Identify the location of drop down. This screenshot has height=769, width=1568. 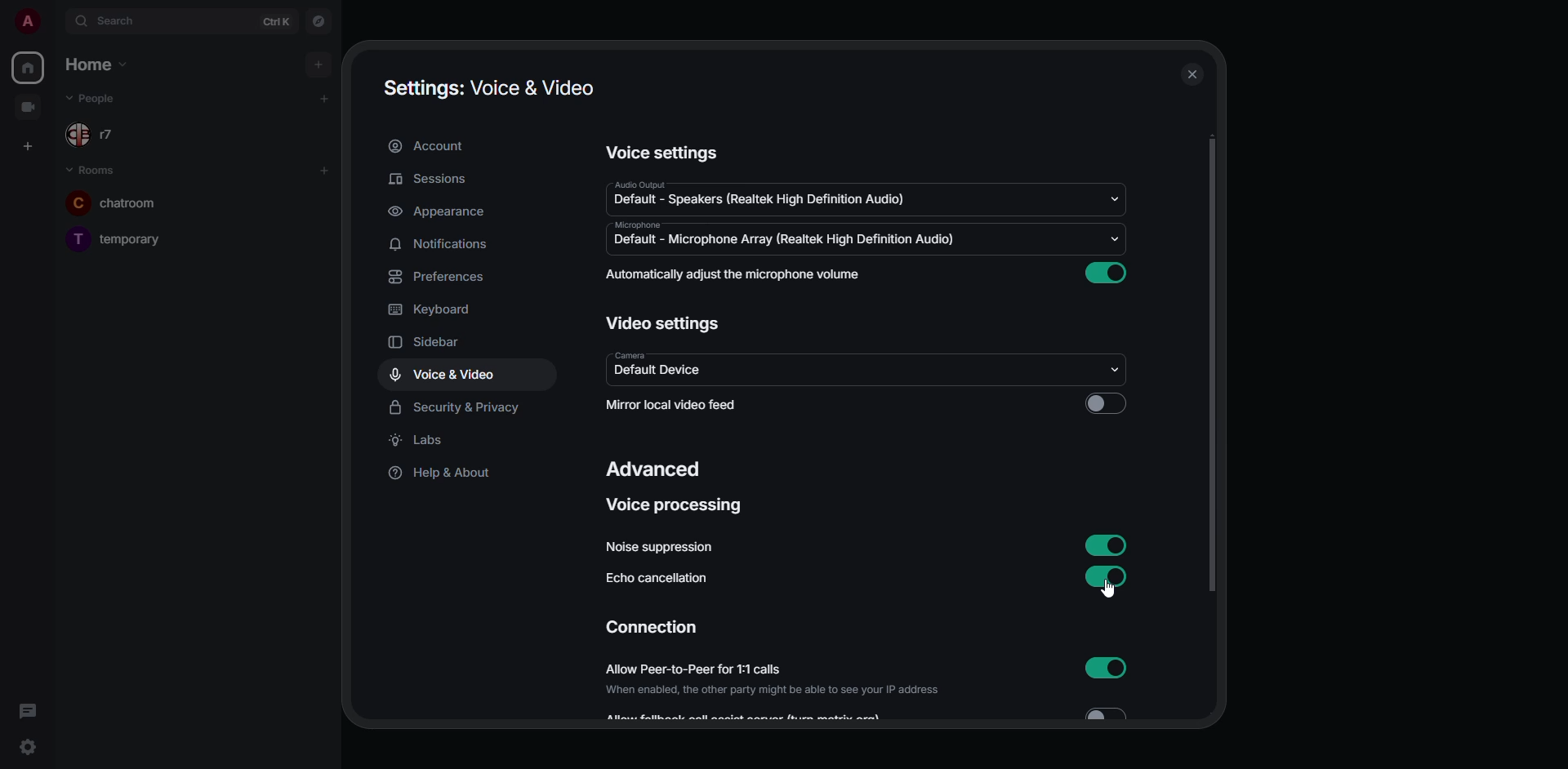
(1112, 198).